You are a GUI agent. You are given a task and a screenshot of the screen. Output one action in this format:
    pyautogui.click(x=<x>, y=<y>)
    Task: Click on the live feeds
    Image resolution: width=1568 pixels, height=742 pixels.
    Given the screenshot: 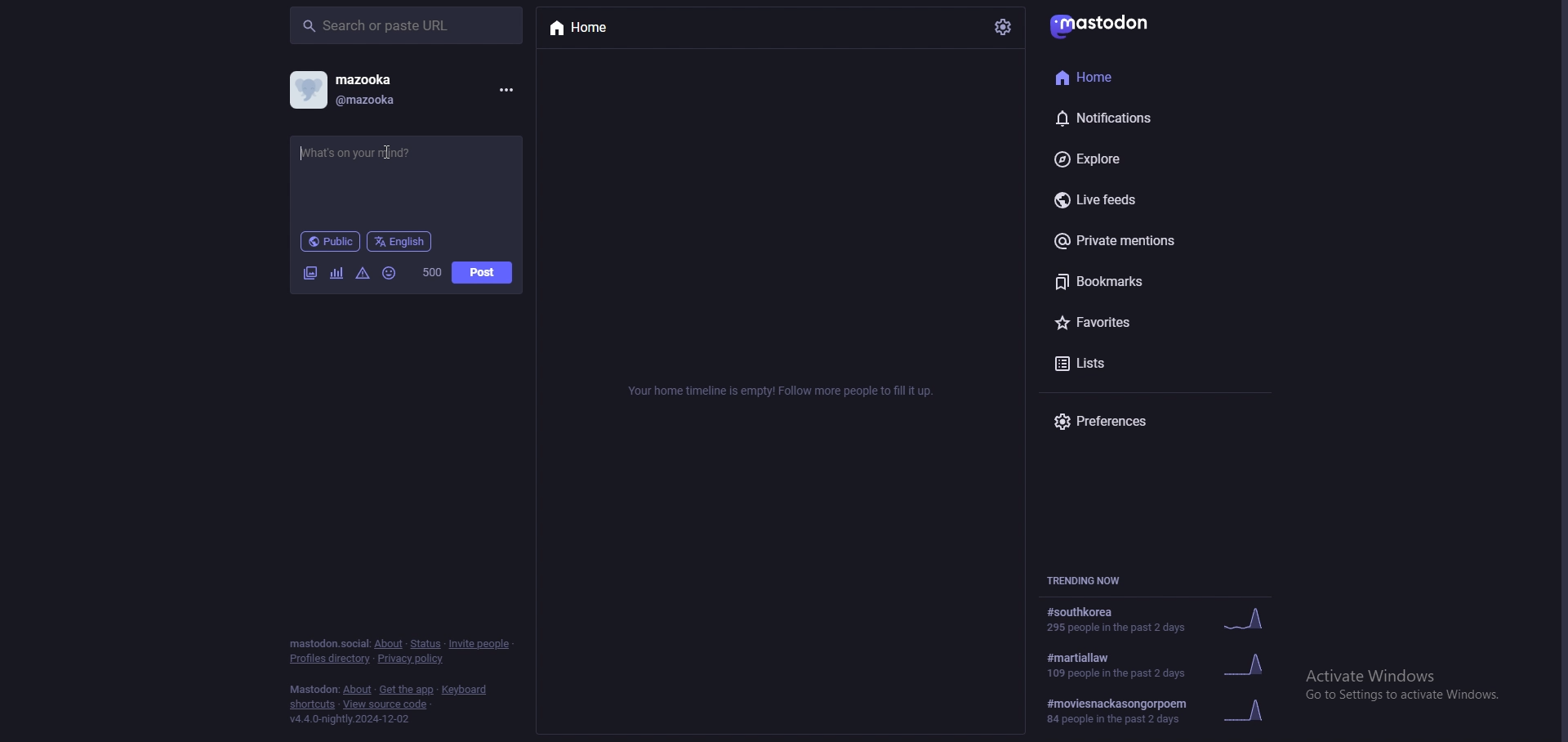 What is the action you would take?
    pyautogui.click(x=1132, y=199)
    